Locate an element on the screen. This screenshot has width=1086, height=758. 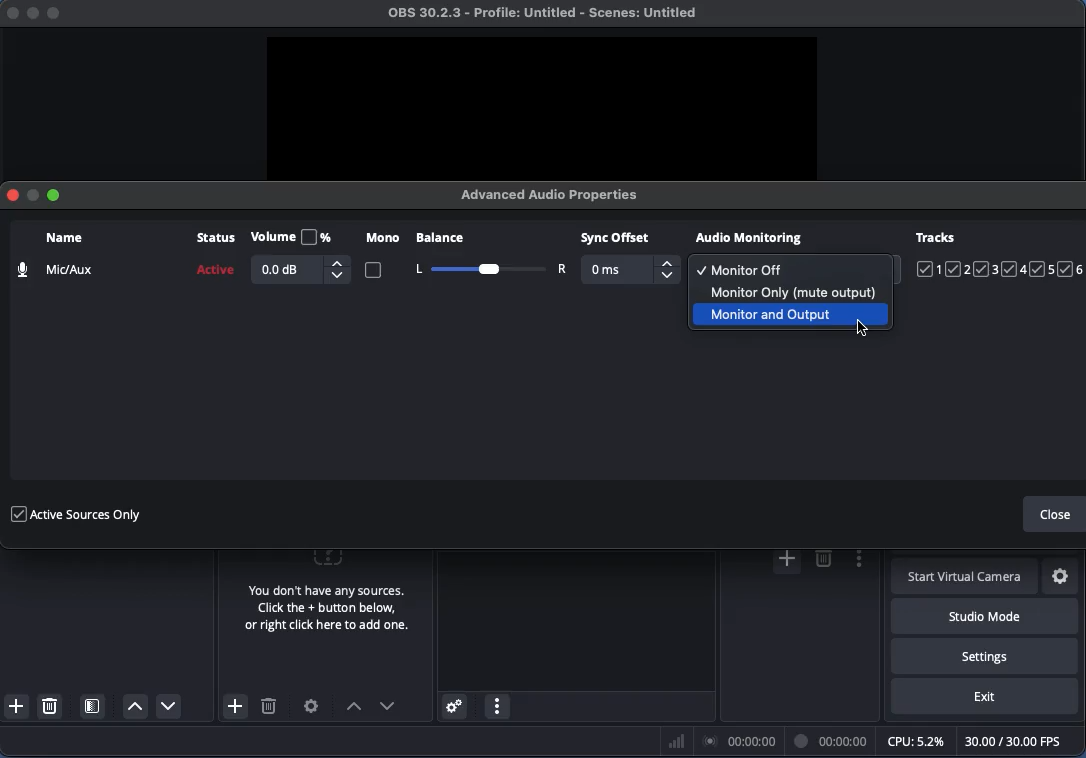
Minimize is located at coordinates (33, 198).